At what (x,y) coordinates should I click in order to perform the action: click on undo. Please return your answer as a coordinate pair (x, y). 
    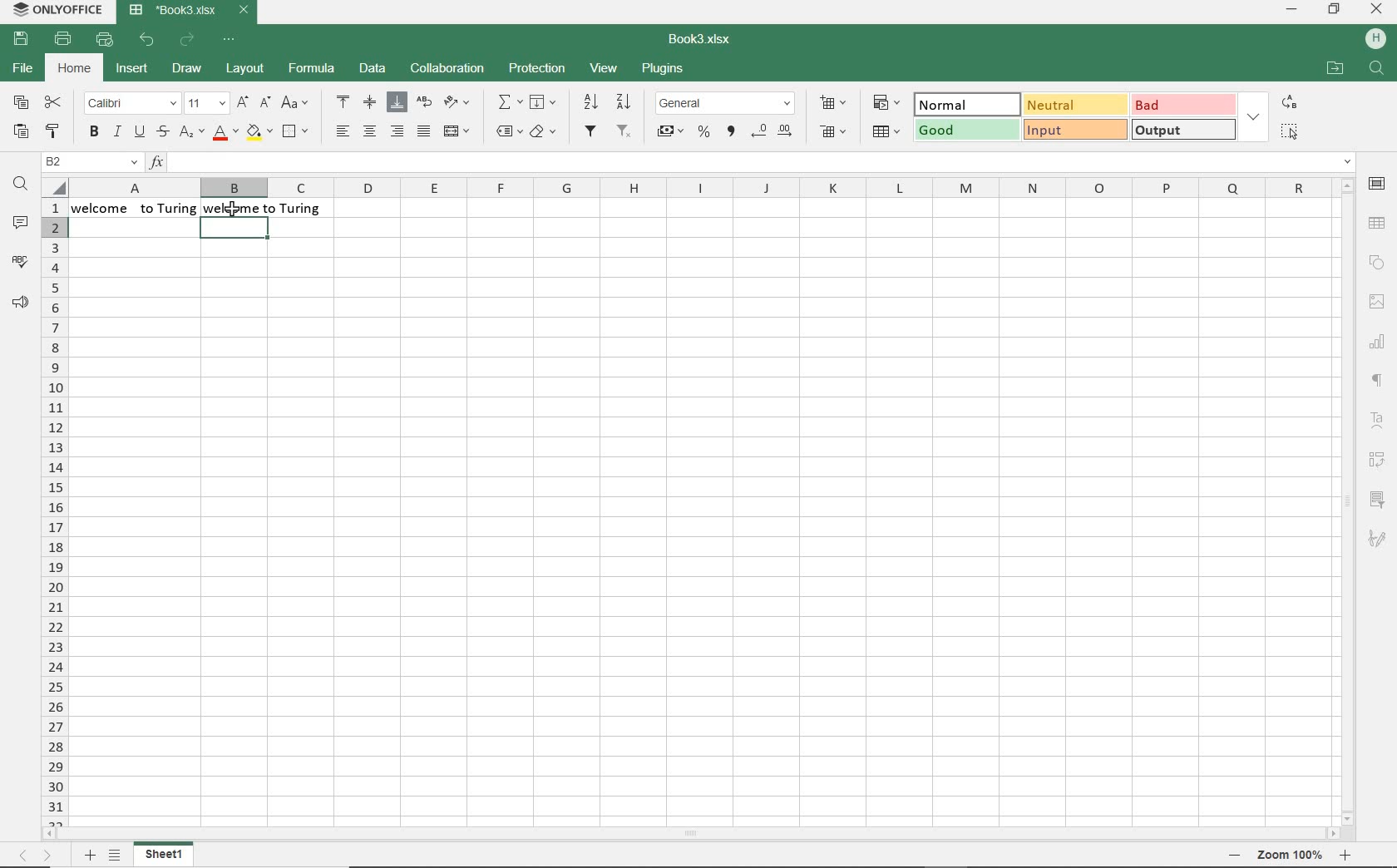
    Looking at the image, I should click on (148, 41).